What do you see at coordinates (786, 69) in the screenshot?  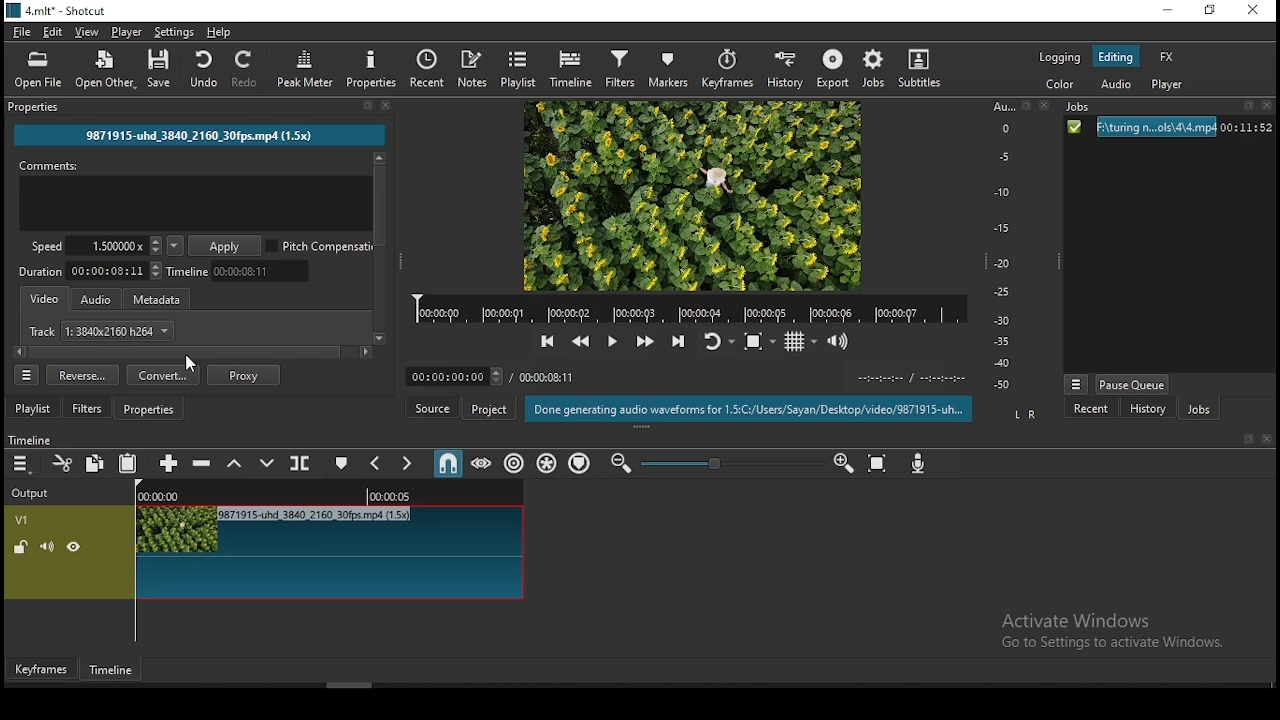 I see `history` at bounding box center [786, 69].